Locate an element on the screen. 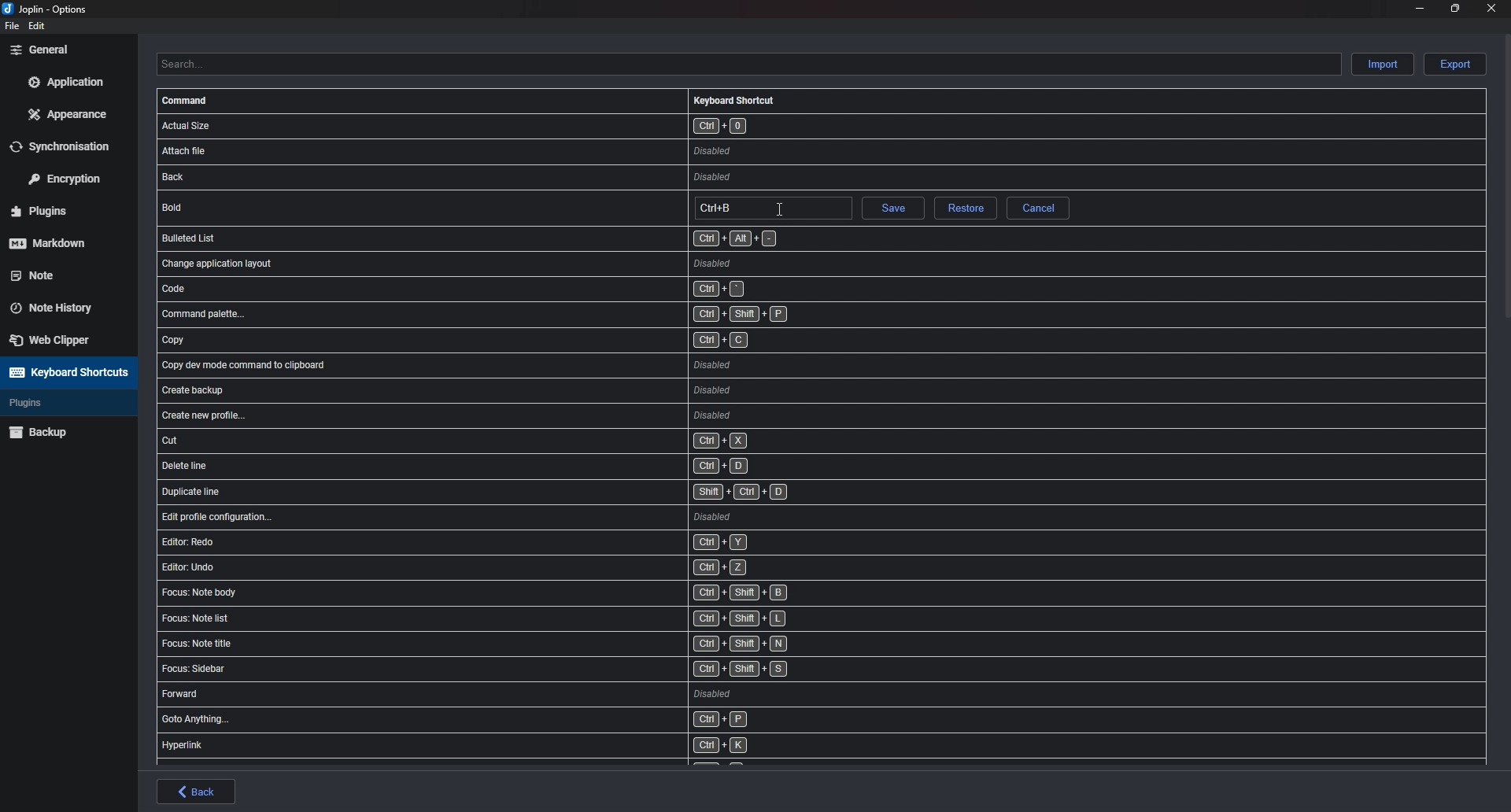 The height and width of the screenshot is (812, 1511). shortcut is located at coordinates (530, 288).